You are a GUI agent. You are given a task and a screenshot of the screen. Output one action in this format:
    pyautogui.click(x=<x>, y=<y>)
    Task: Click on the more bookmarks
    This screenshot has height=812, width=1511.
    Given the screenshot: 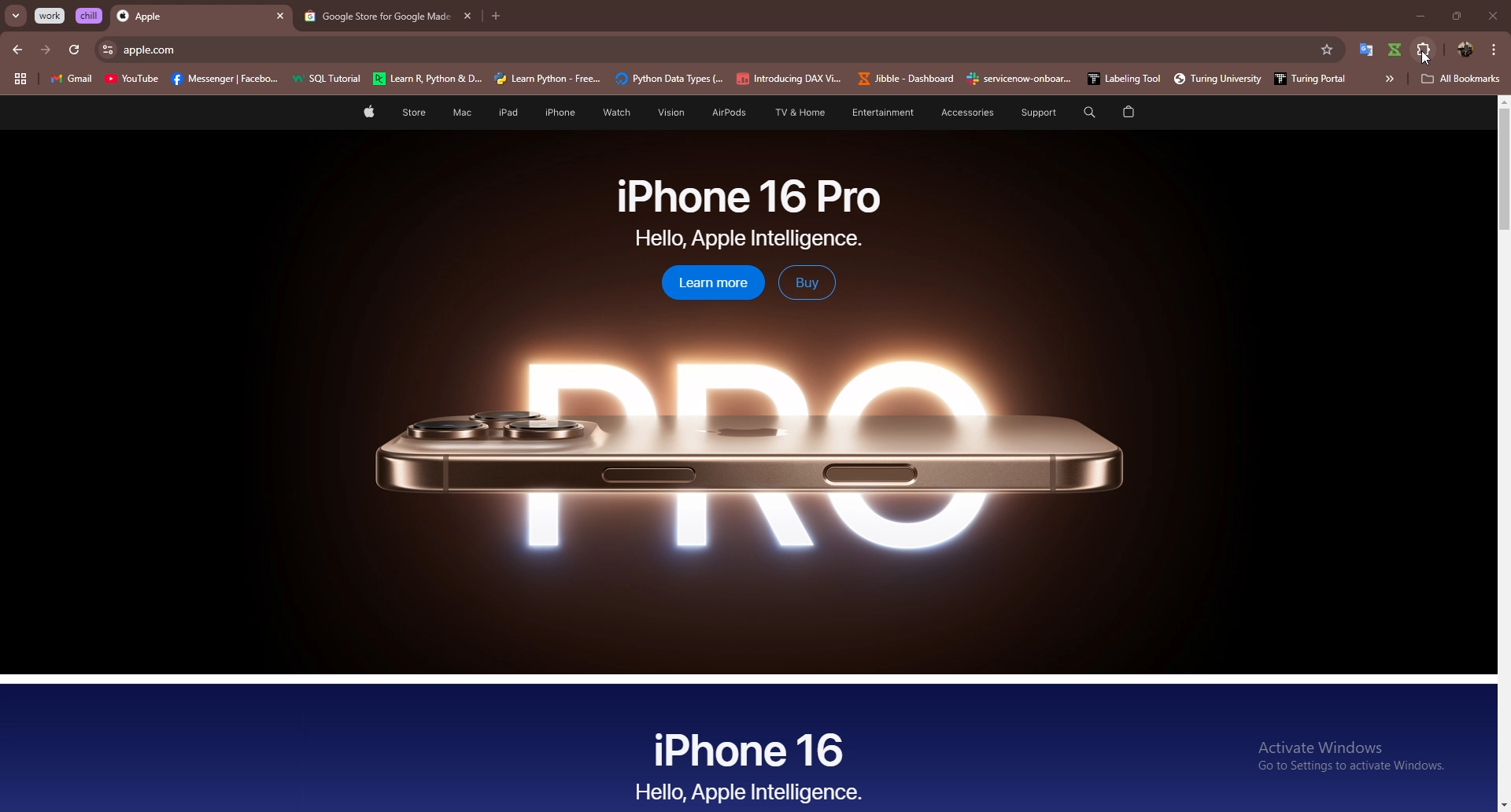 What is the action you would take?
    pyautogui.click(x=1389, y=79)
    